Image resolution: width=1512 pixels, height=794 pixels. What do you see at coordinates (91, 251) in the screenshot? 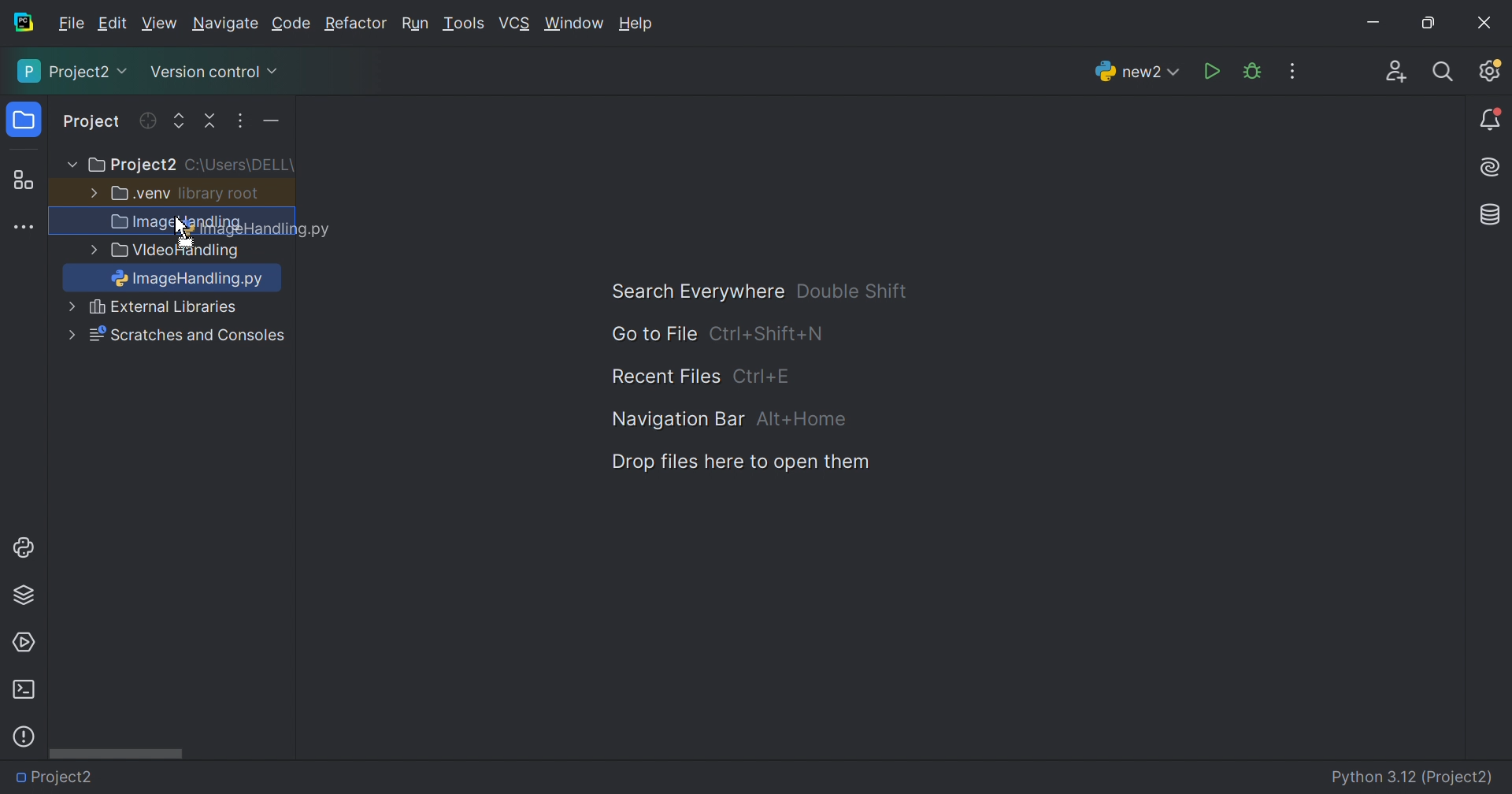
I see `more` at bounding box center [91, 251].